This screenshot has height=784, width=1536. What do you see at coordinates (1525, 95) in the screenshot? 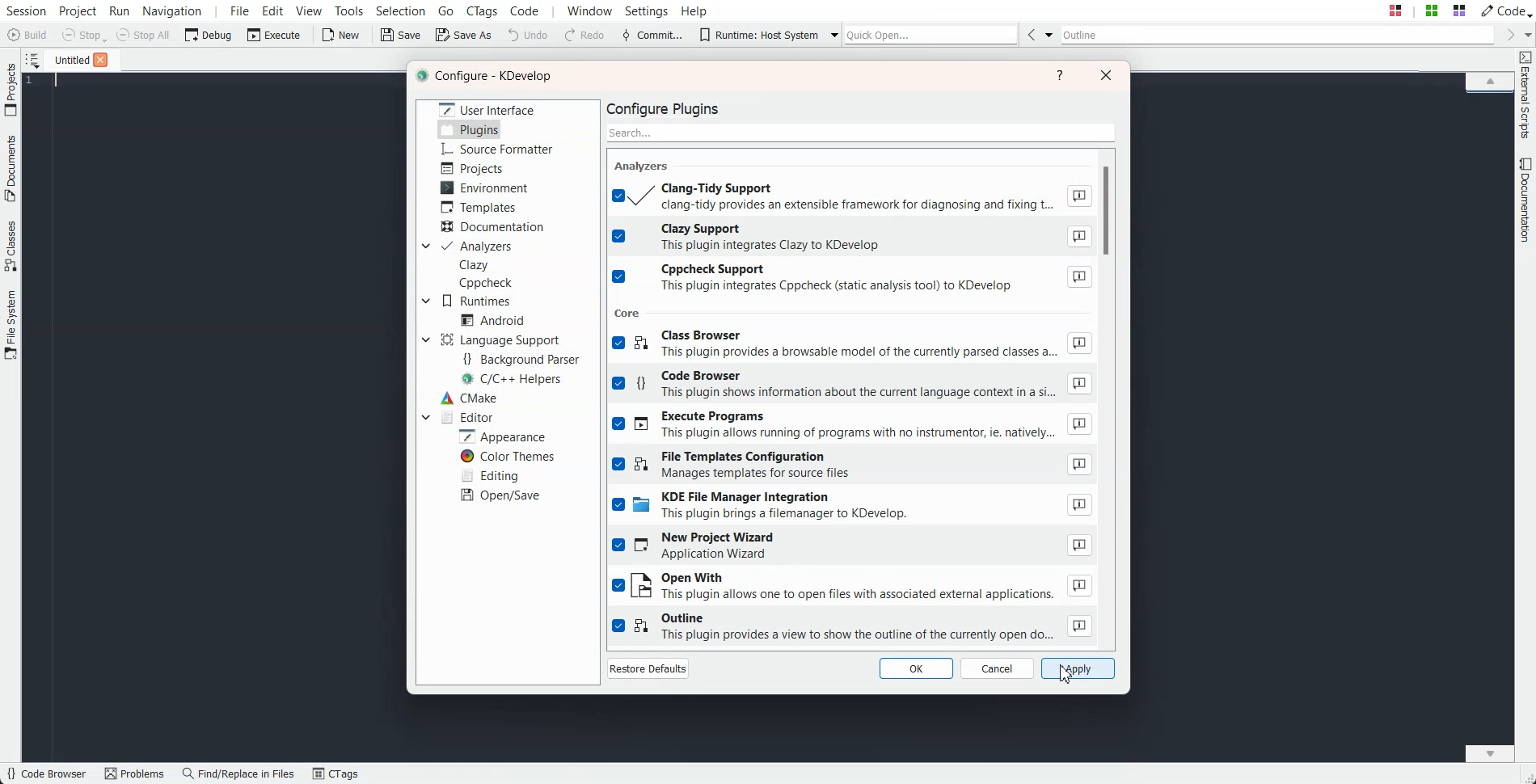
I see `External Scripts` at bounding box center [1525, 95].